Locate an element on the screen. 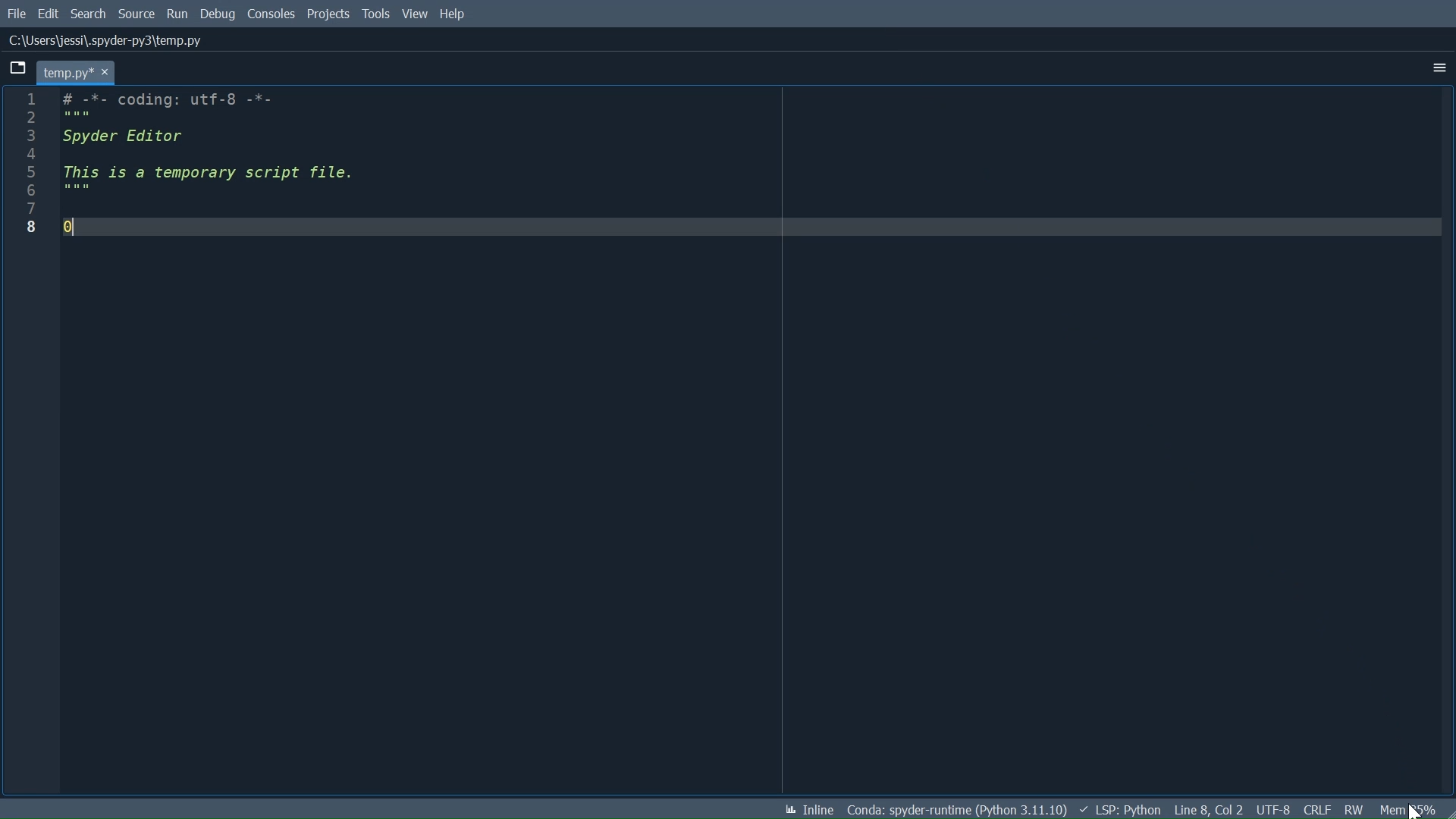  Consoles is located at coordinates (272, 14).